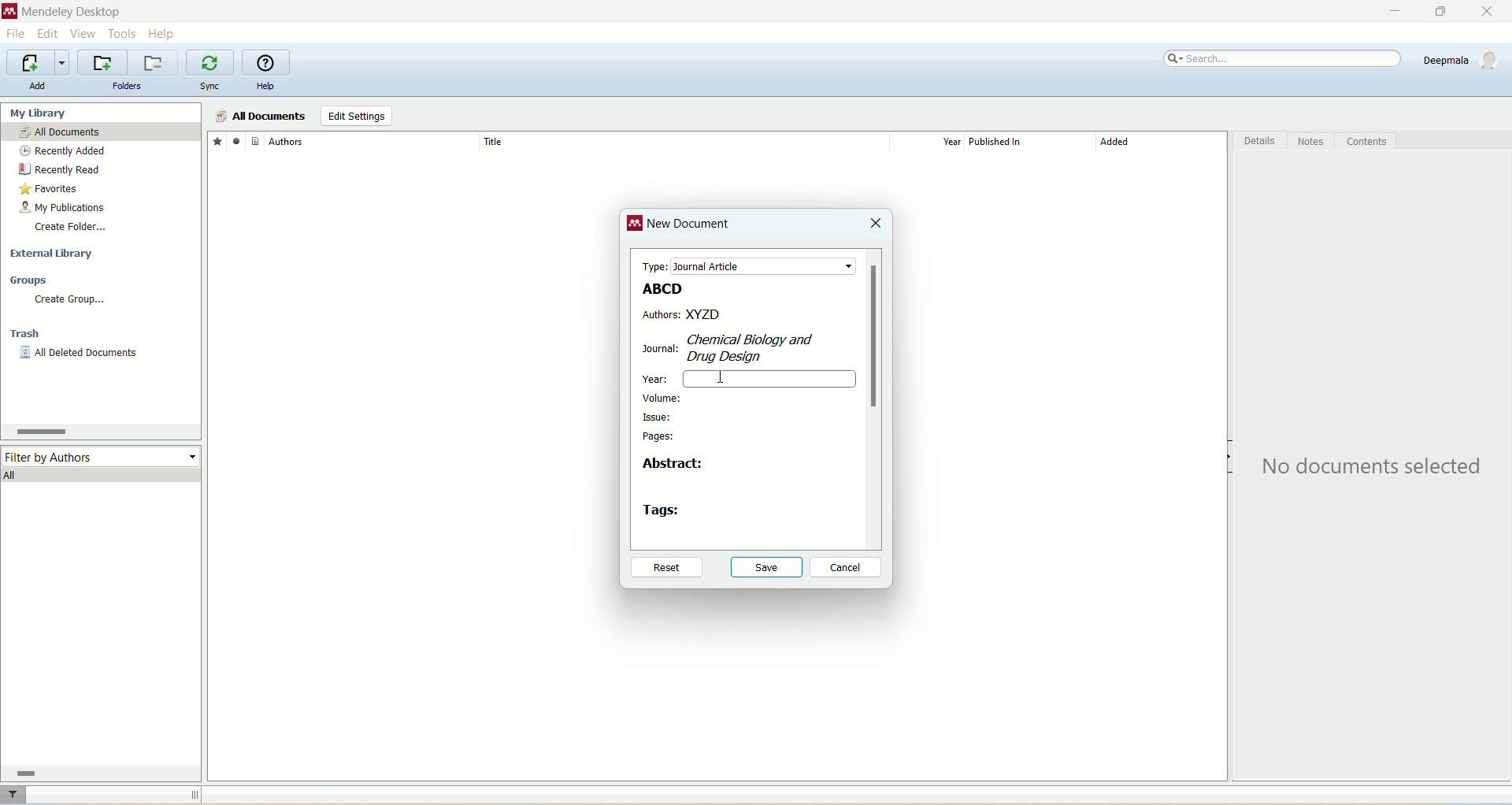  What do you see at coordinates (773, 313) in the screenshot?
I see `XYZD` at bounding box center [773, 313].